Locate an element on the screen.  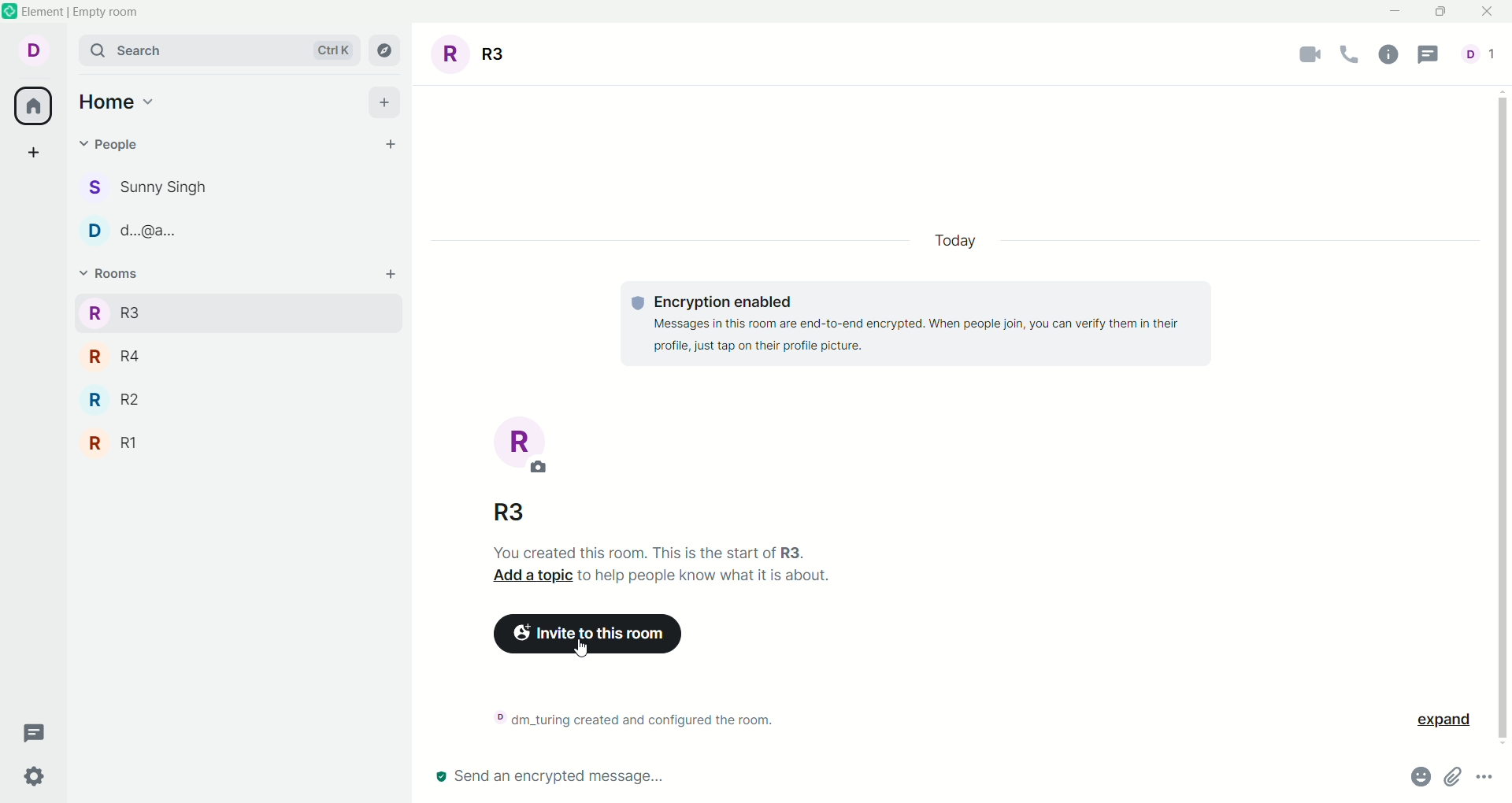
settings is located at coordinates (37, 776).